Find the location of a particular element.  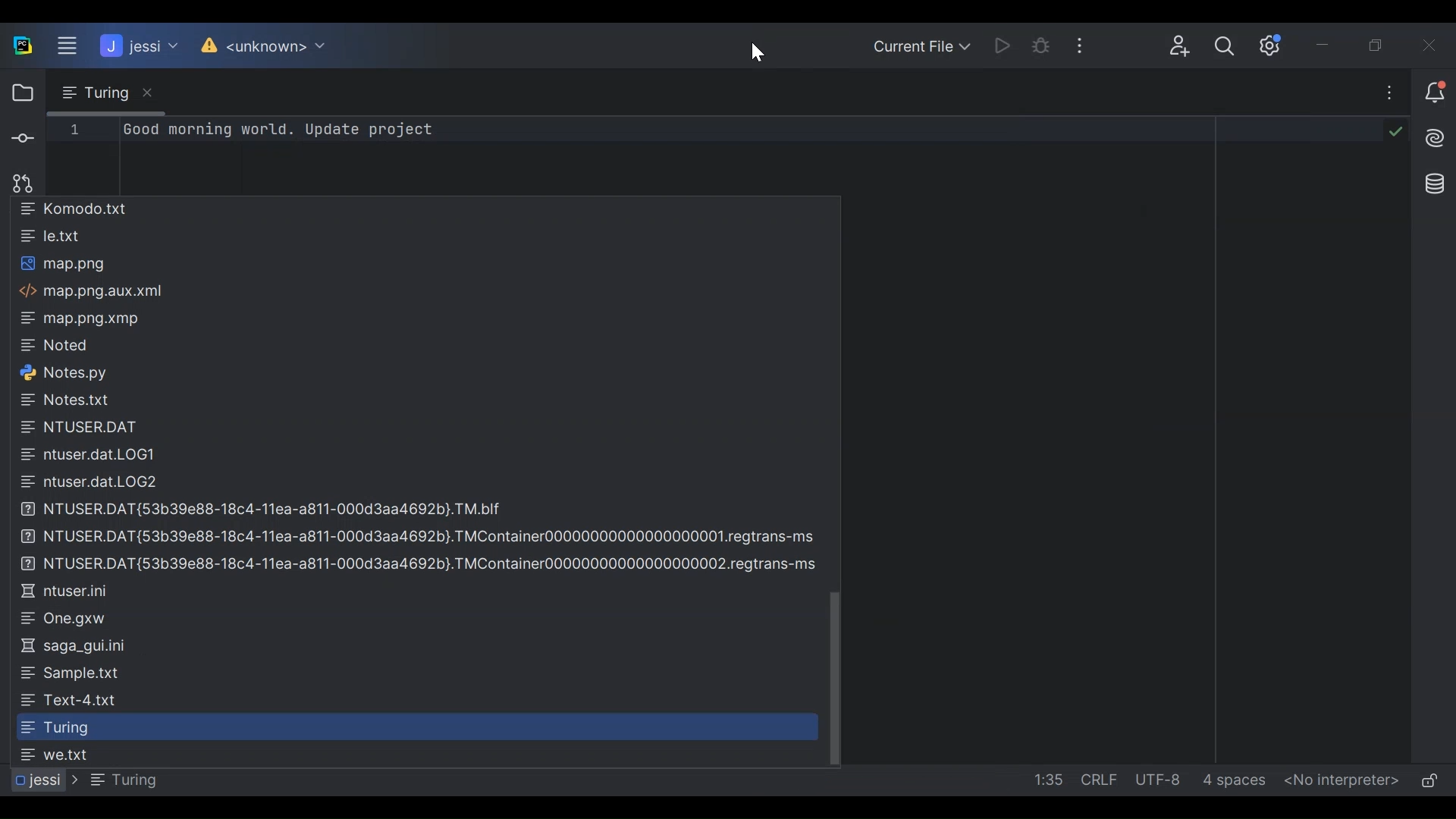

map.png.xmp is located at coordinates (81, 320).